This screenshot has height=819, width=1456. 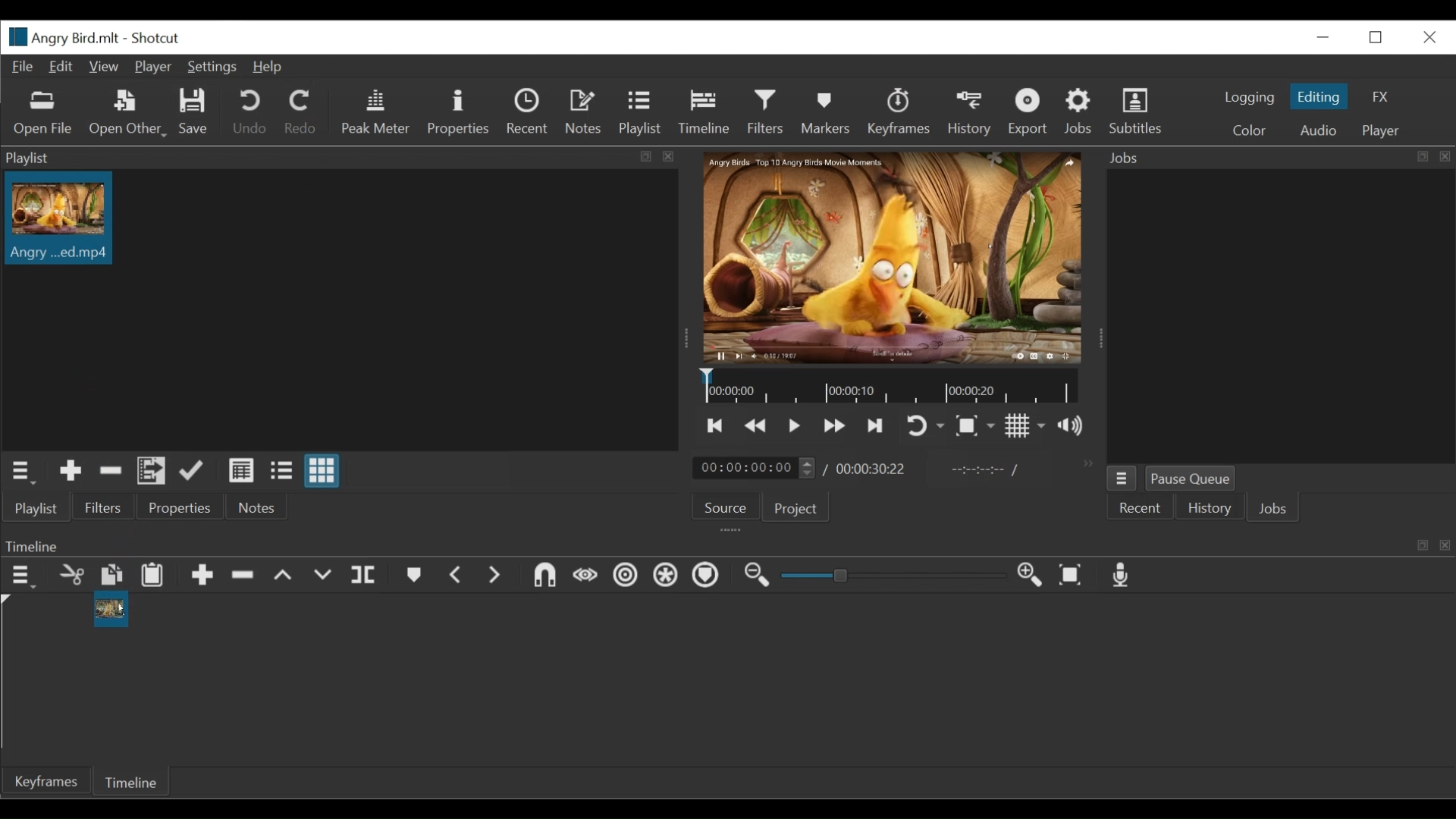 I want to click on current duration, so click(x=753, y=468).